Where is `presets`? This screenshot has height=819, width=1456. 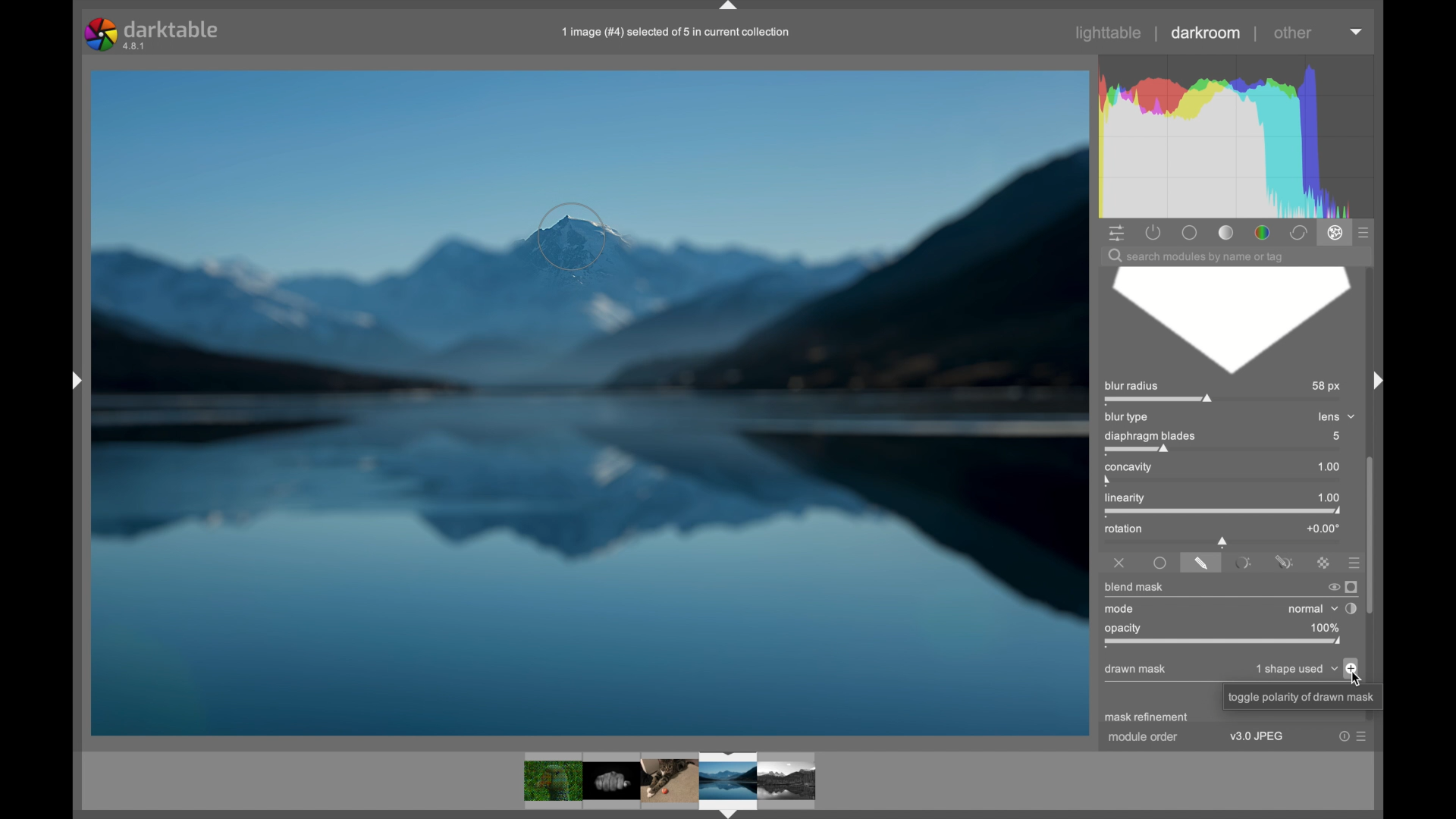 presets is located at coordinates (1365, 232).